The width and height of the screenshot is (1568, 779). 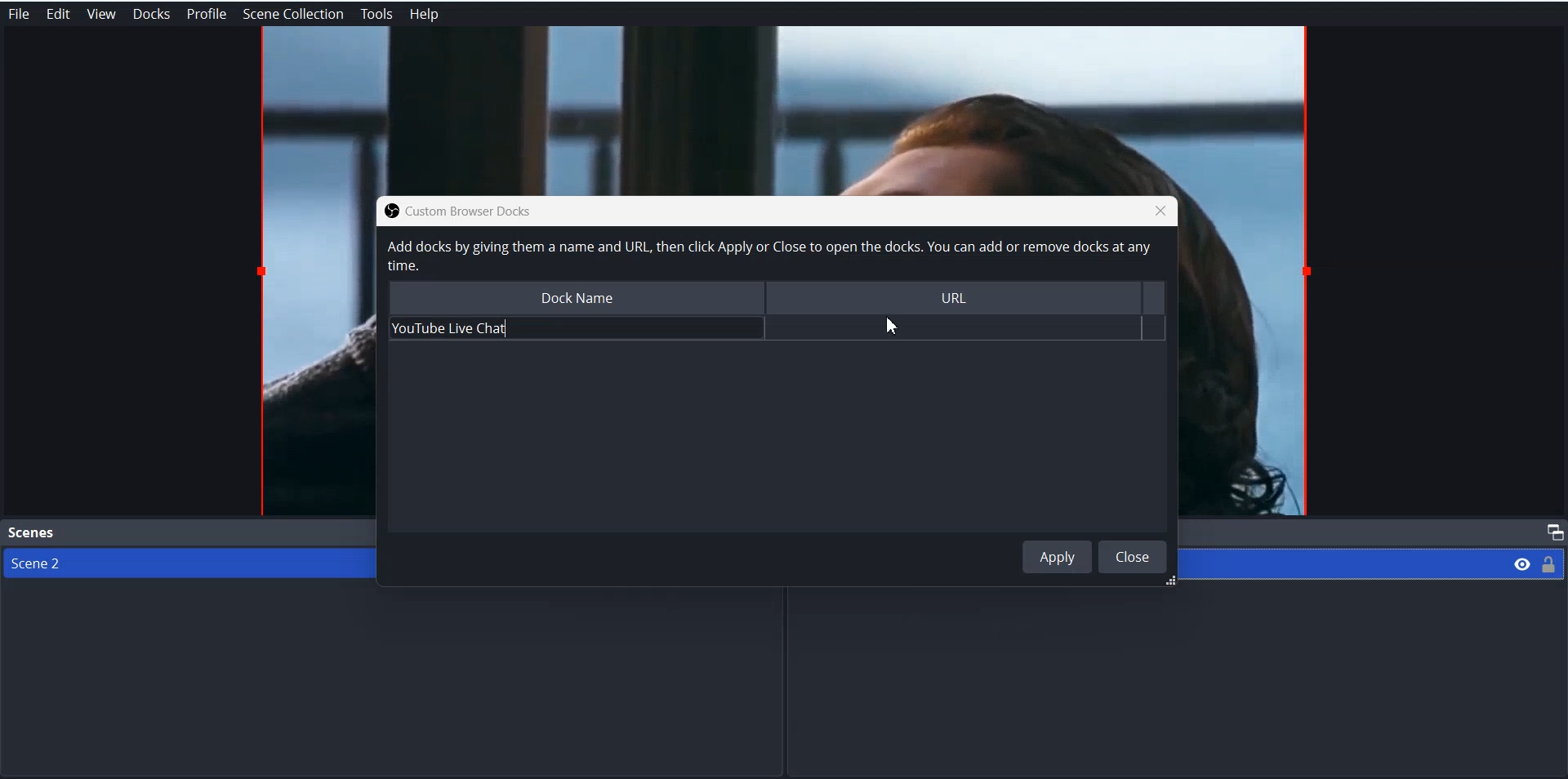 What do you see at coordinates (294, 14) in the screenshot?
I see `Scene Collection` at bounding box center [294, 14].